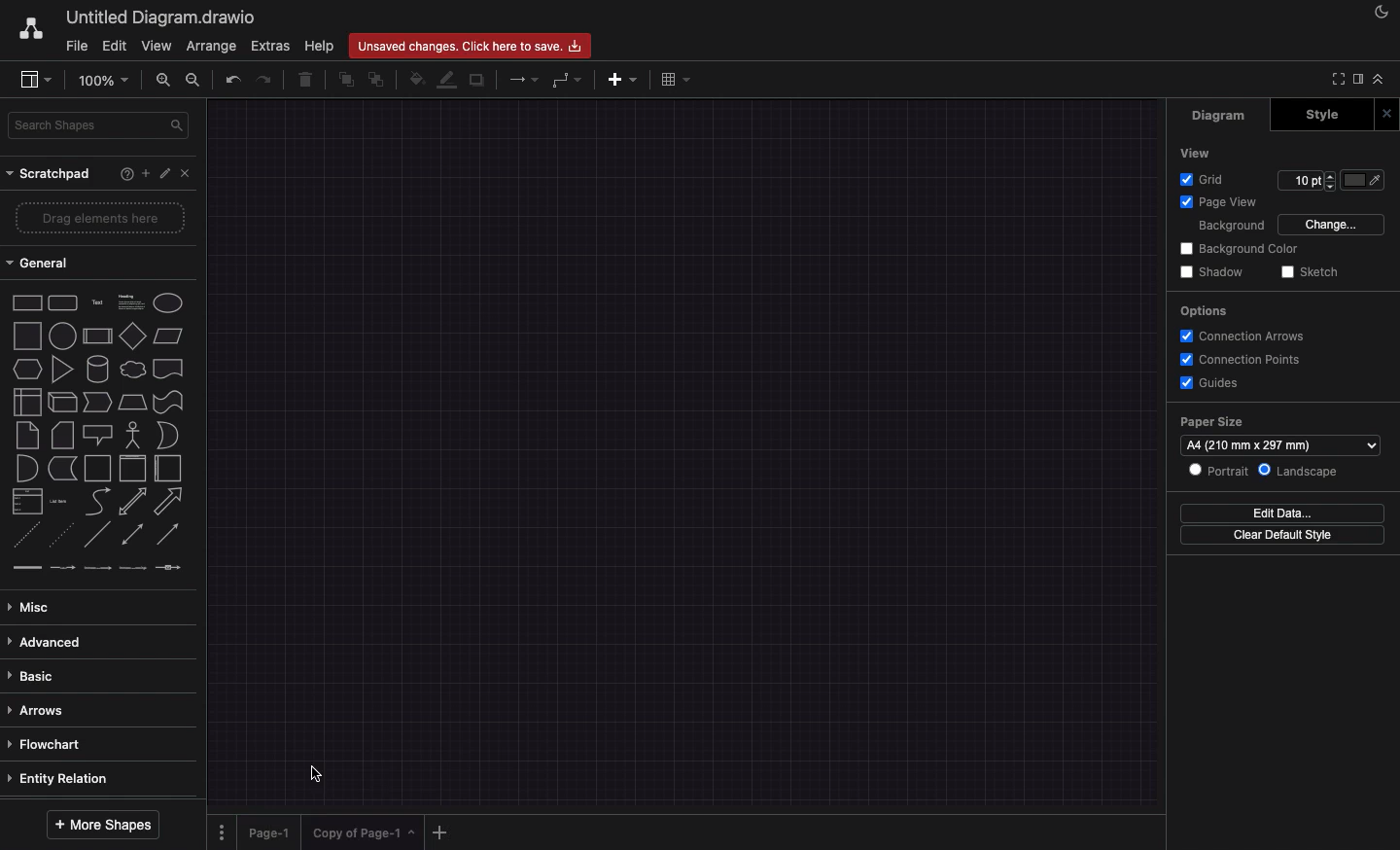 This screenshot has width=1400, height=850. I want to click on entity relation, so click(61, 778).